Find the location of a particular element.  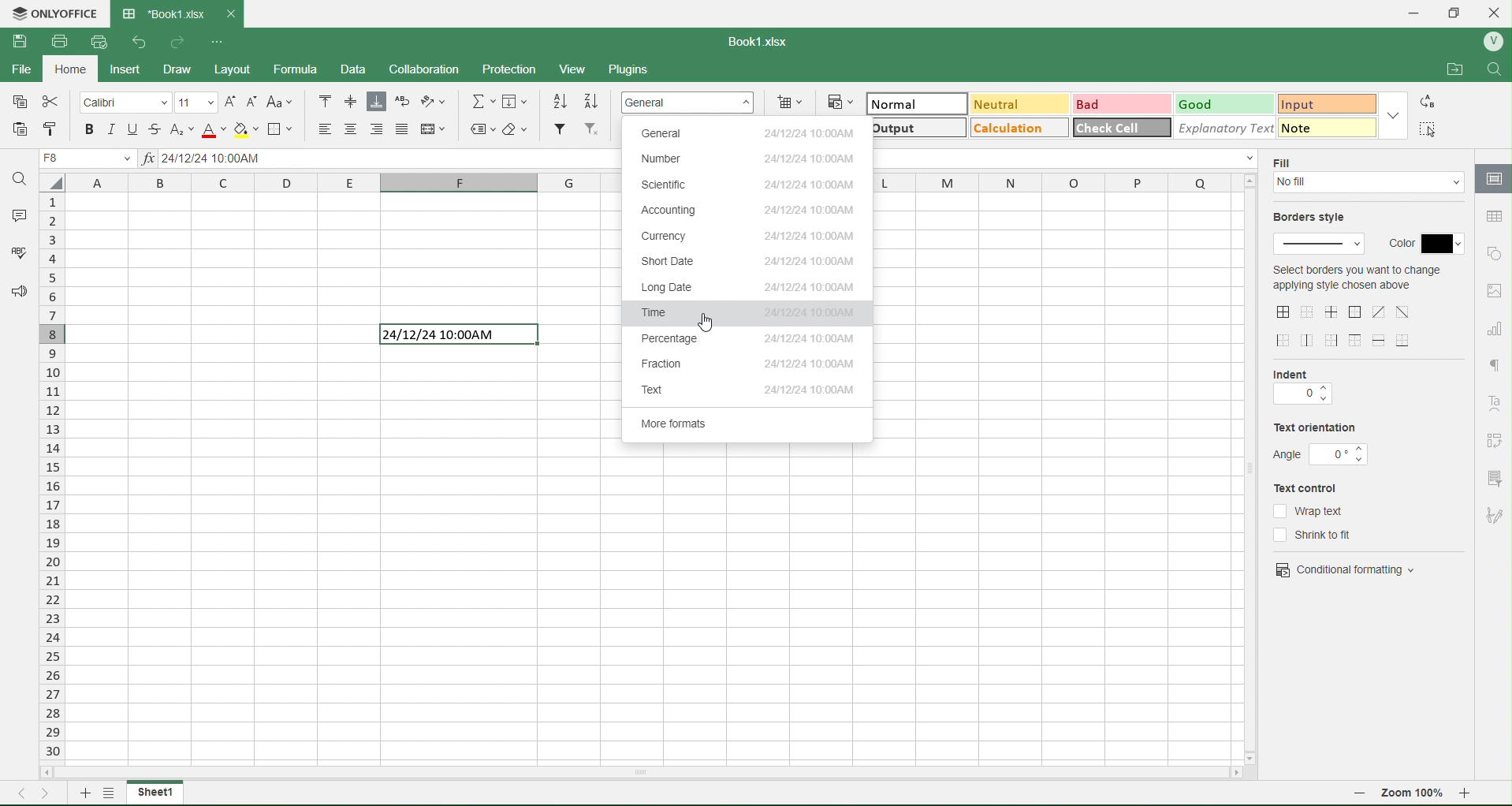

Insert Cells is located at coordinates (792, 101).